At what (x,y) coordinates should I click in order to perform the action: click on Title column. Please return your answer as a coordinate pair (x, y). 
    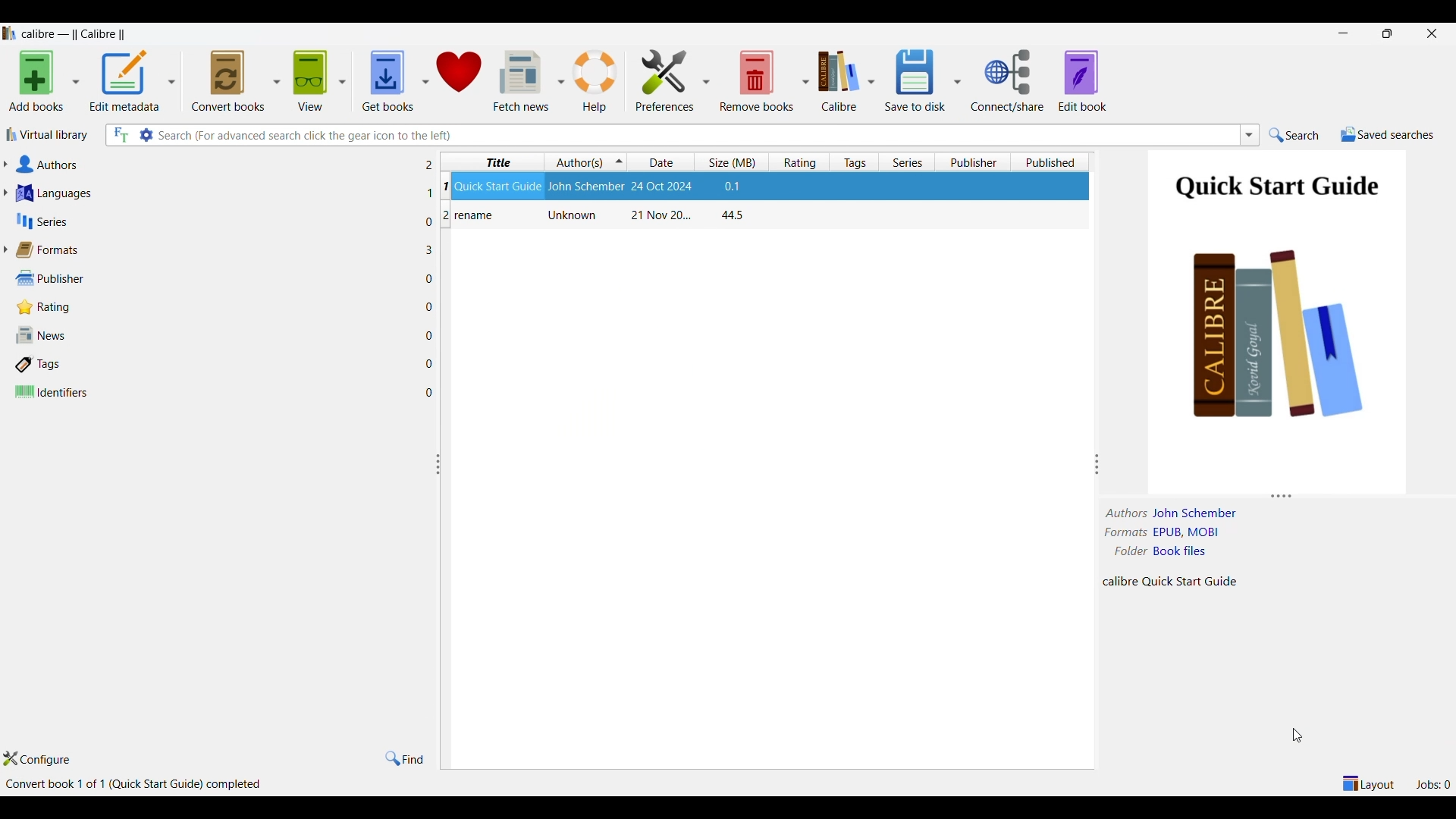
    Looking at the image, I should click on (495, 162).